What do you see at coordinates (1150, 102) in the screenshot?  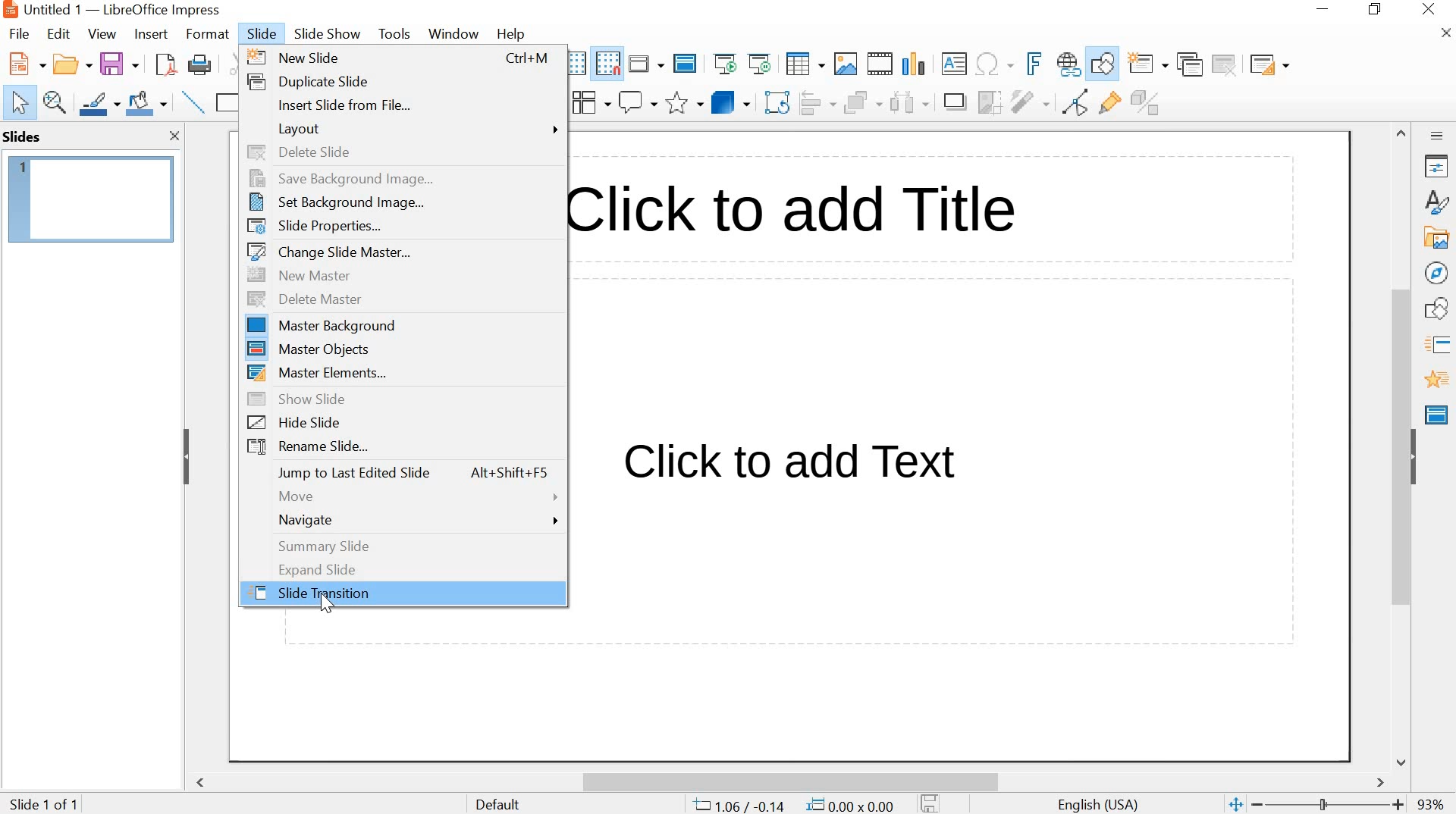 I see `Toggle Extrusion` at bounding box center [1150, 102].